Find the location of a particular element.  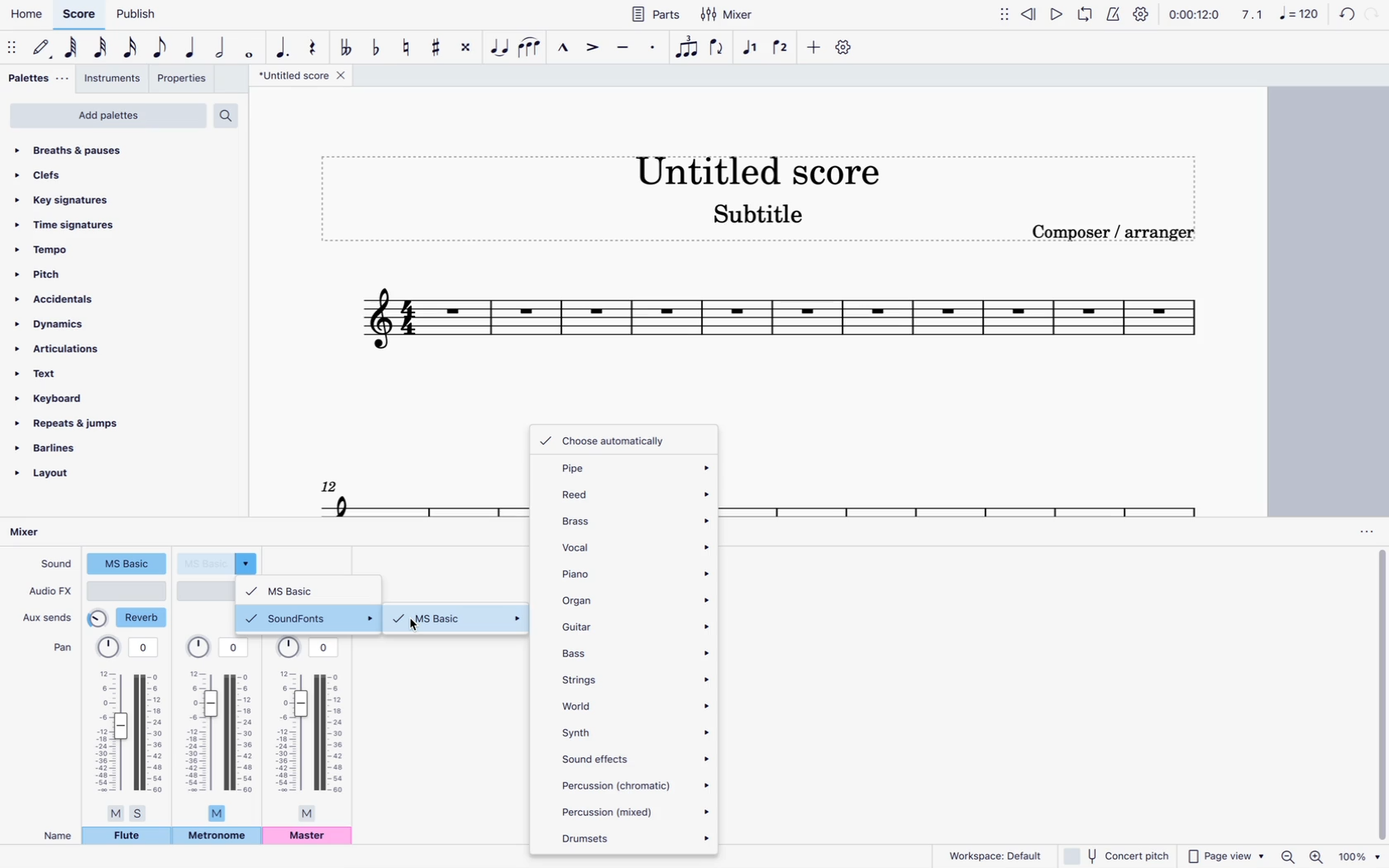

world is located at coordinates (637, 703).